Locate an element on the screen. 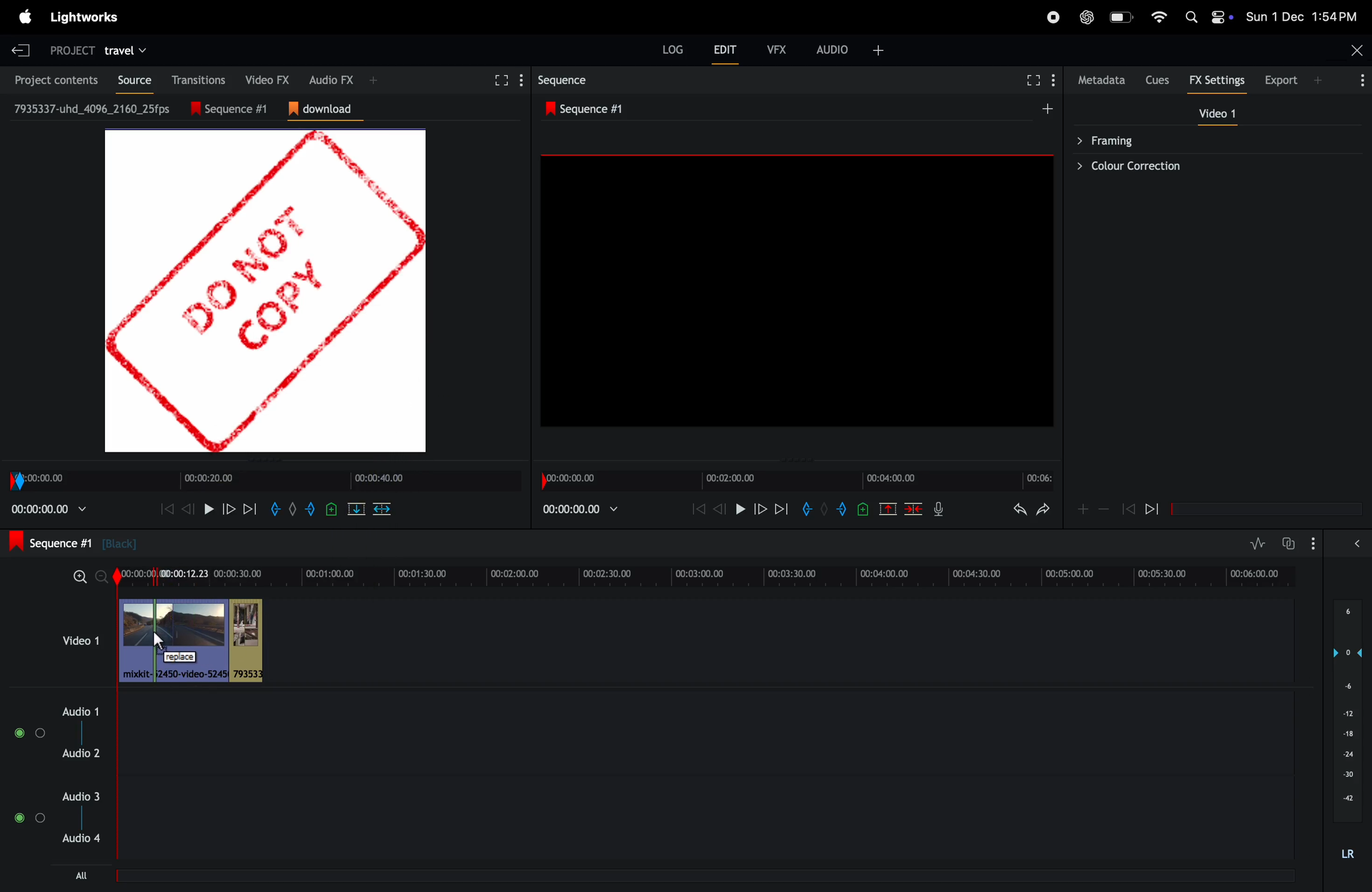 This screenshot has width=1372, height=892. battery is located at coordinates (1123, 17).